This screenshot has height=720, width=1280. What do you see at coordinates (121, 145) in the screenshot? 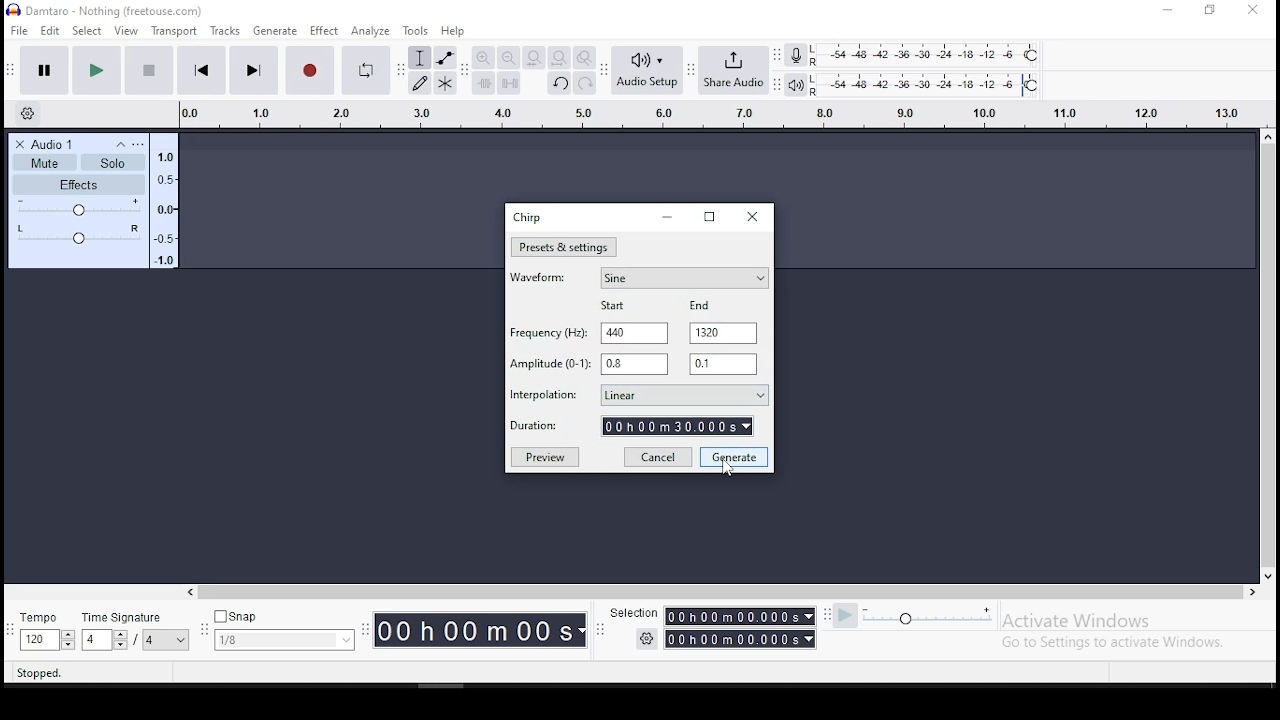
I see `collapse` at bounding box center [121, 145].